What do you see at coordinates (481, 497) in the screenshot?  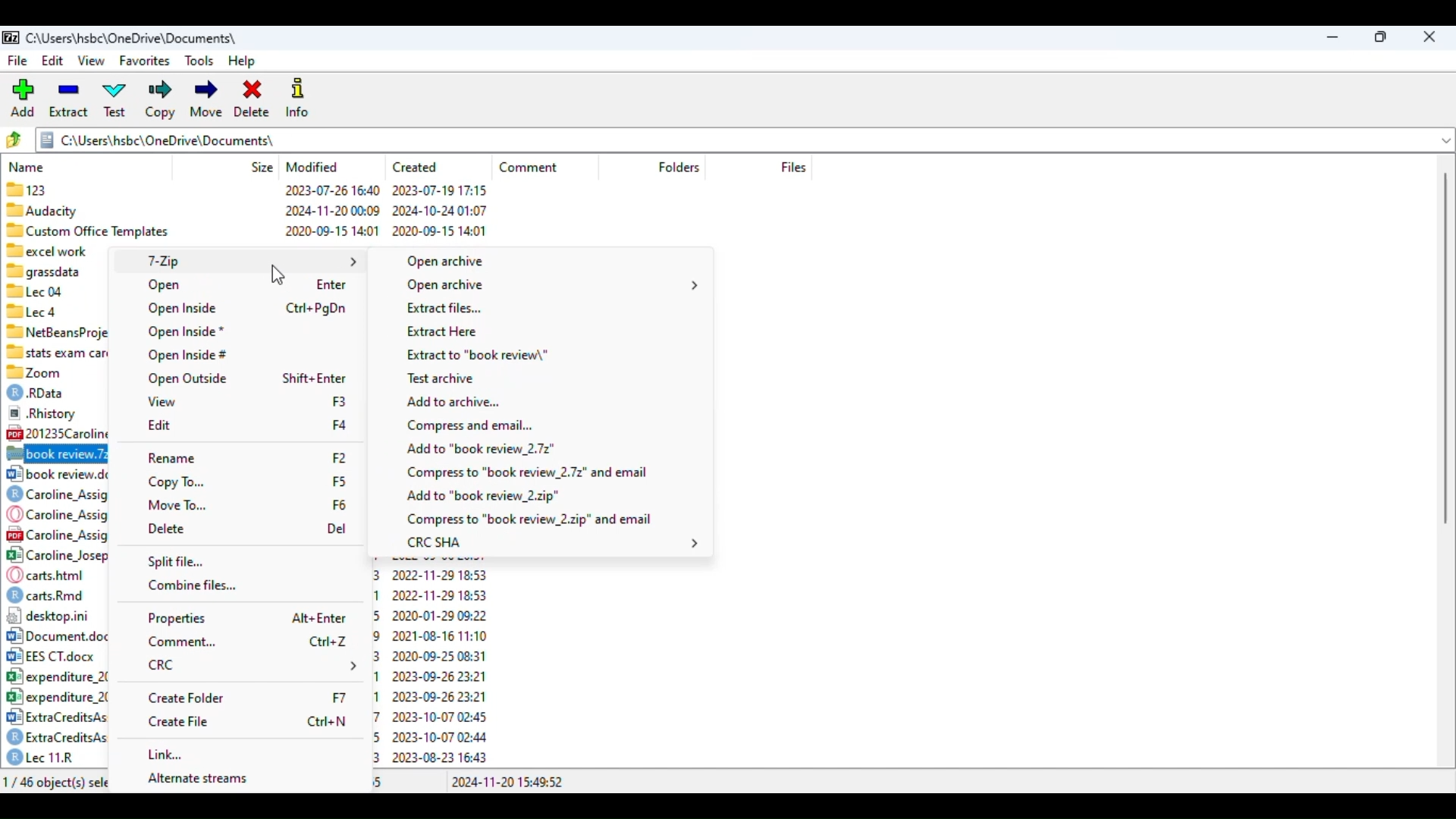 I see `add to .zip file` at bounding box center [481, 497].